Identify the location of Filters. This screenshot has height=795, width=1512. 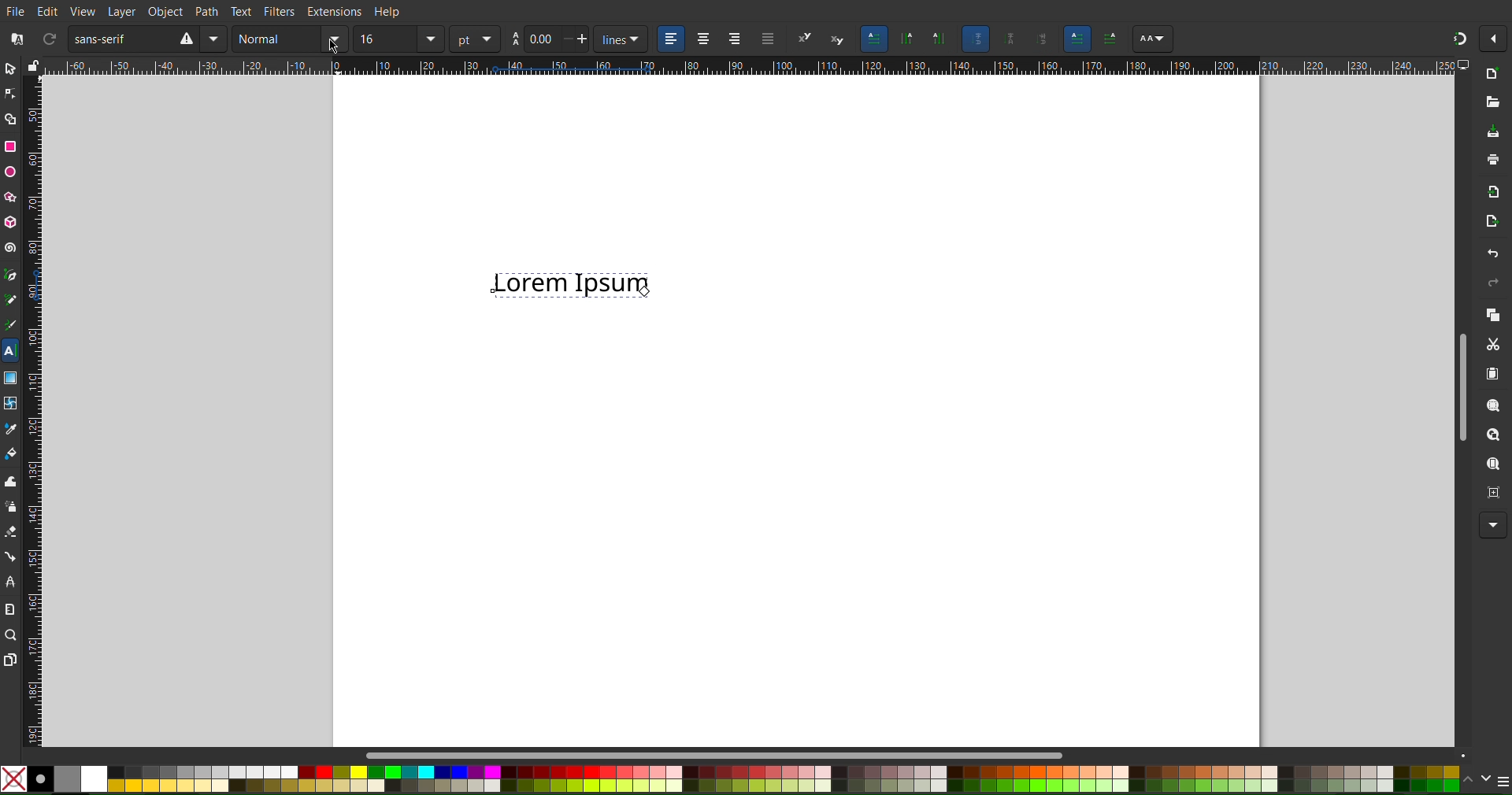
(282, 10).